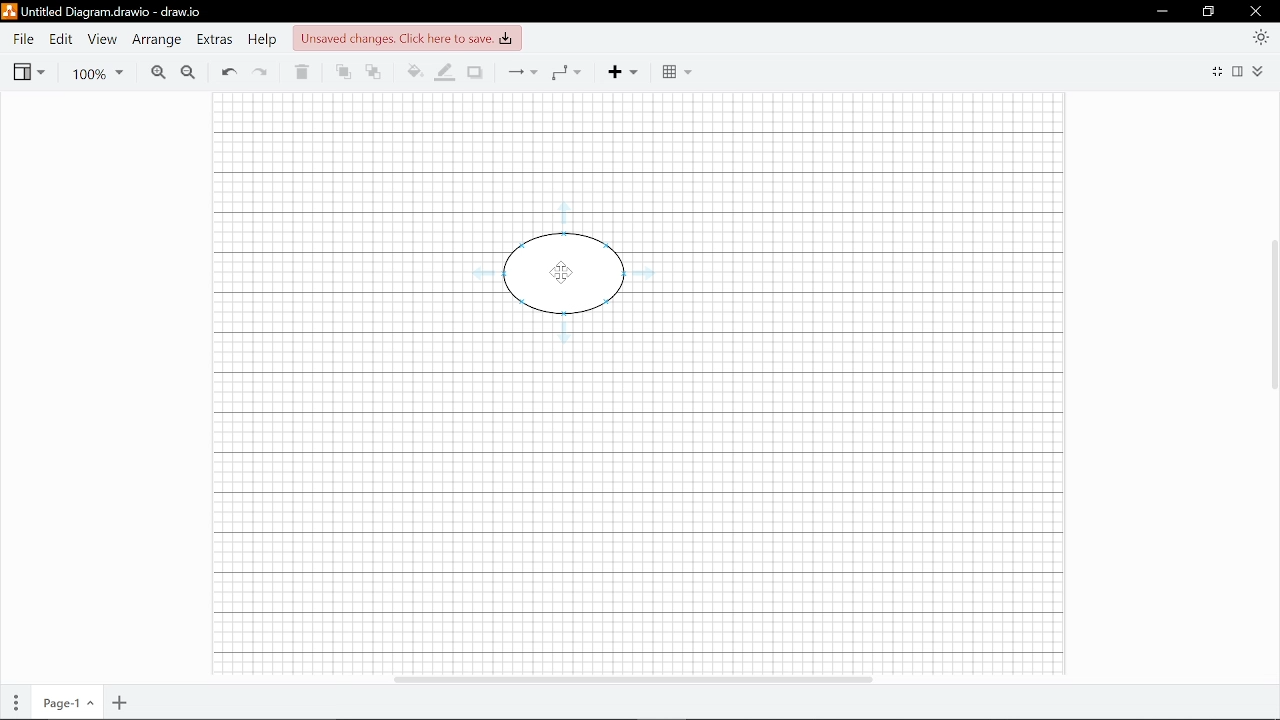 The height and width of the screenshot is (720, 1280). What do you see at coordinates (406, 39) in the screenshot?
I see `Unsaved images, click here to save` at bounding box center [406, 39].